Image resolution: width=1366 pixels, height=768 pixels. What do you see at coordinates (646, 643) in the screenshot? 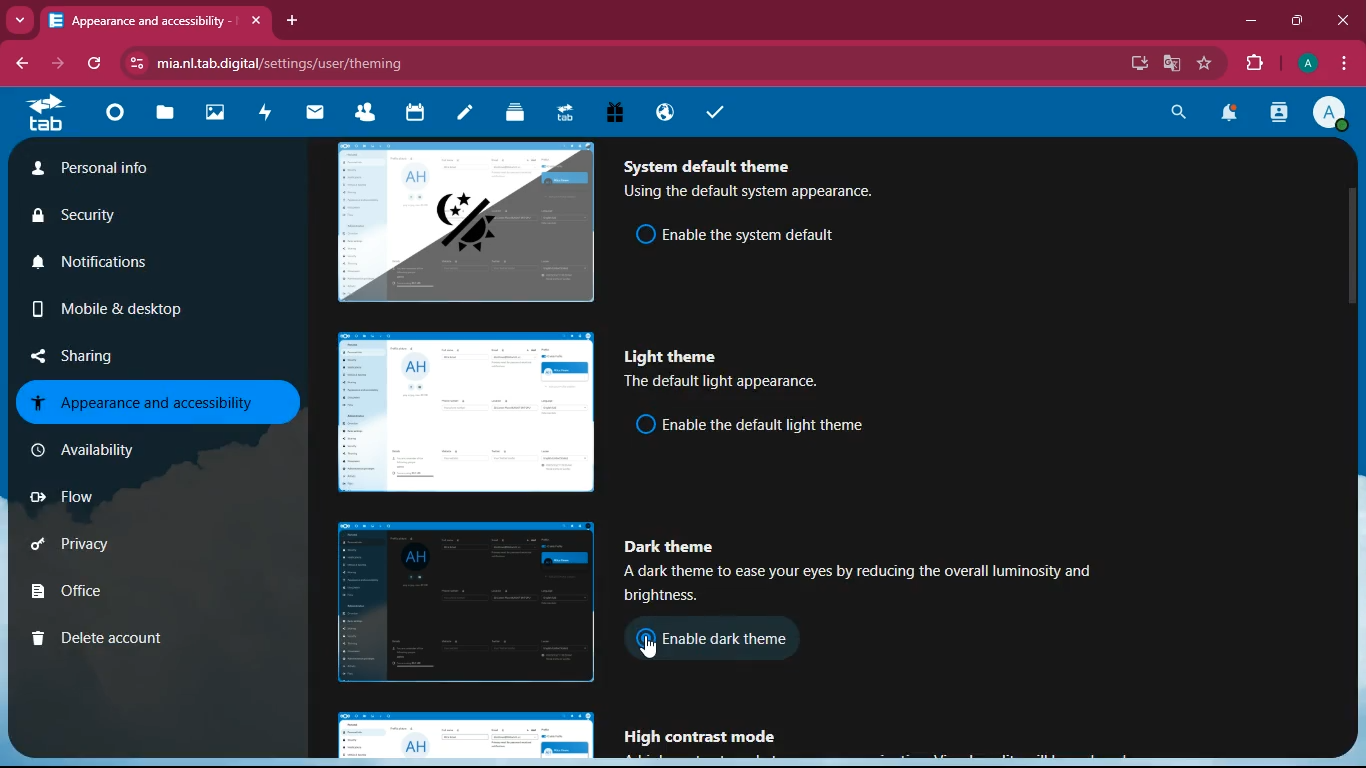
I see `on` at bounding box center [646, 643].